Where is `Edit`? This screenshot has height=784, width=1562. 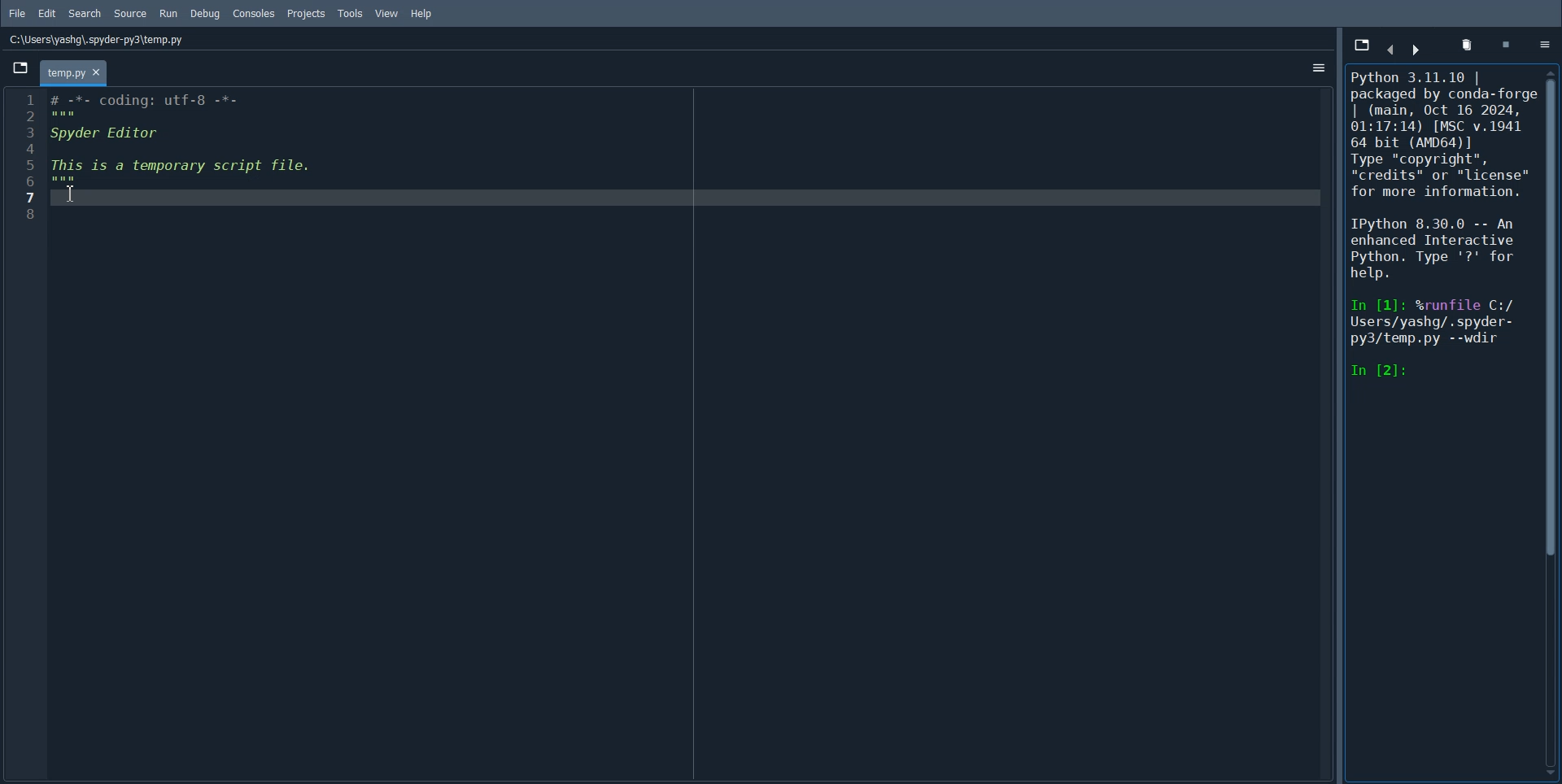
Edit is located at coordinates (47, 14).